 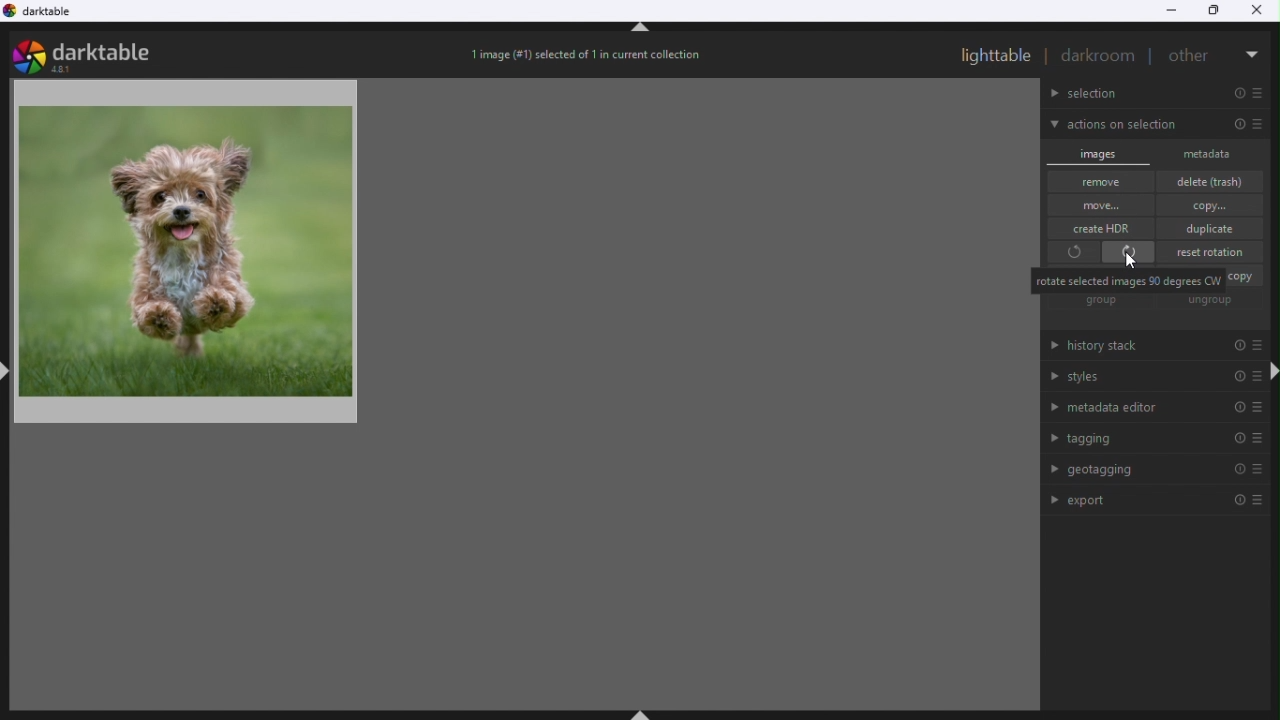 What do you see at coordinates (996, 55) in the screenshot?
I see `Light table` at bounding box center [996, 55].